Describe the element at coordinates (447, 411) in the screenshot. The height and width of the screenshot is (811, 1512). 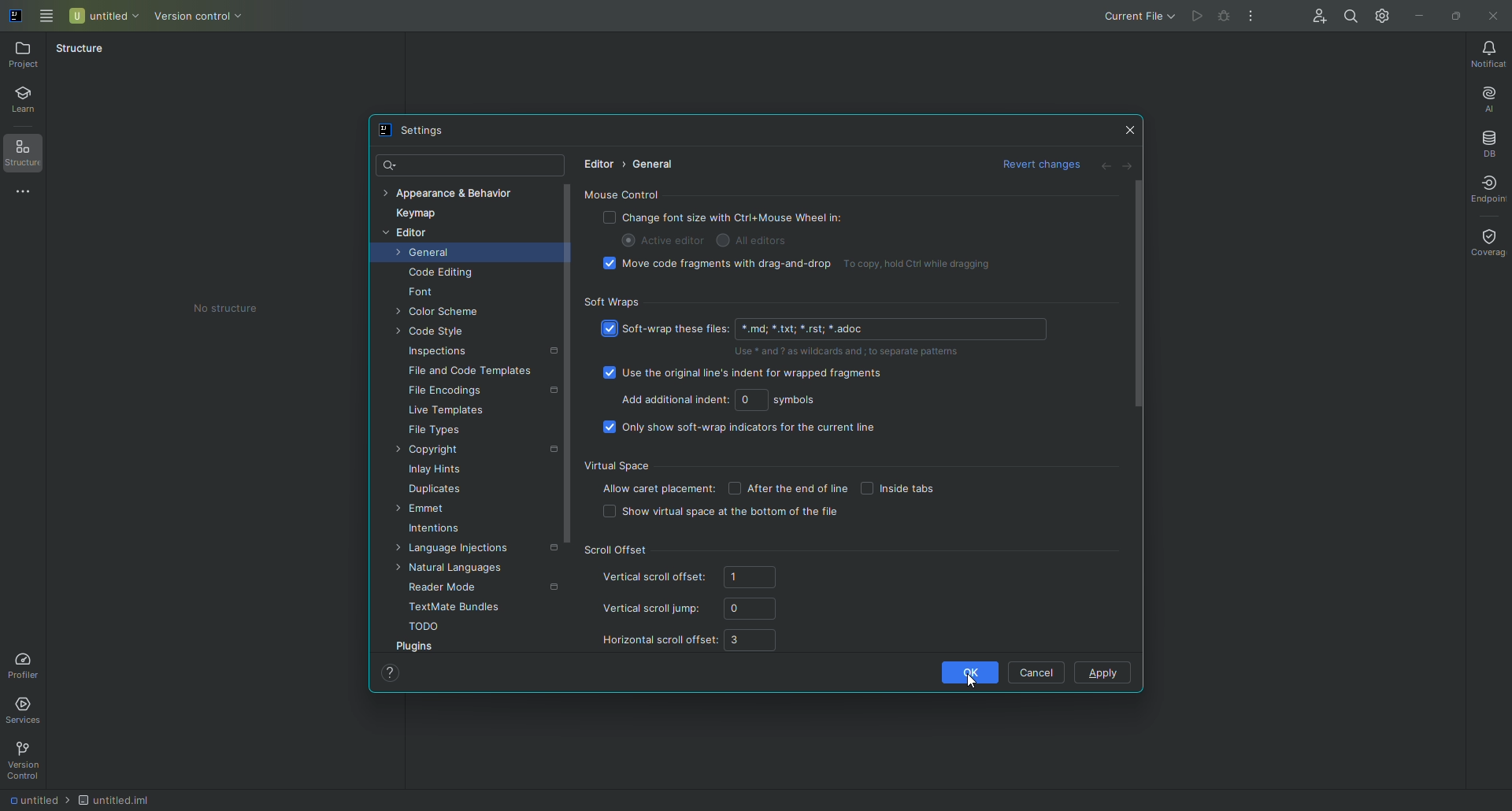
I see `Live Templates` at that location.